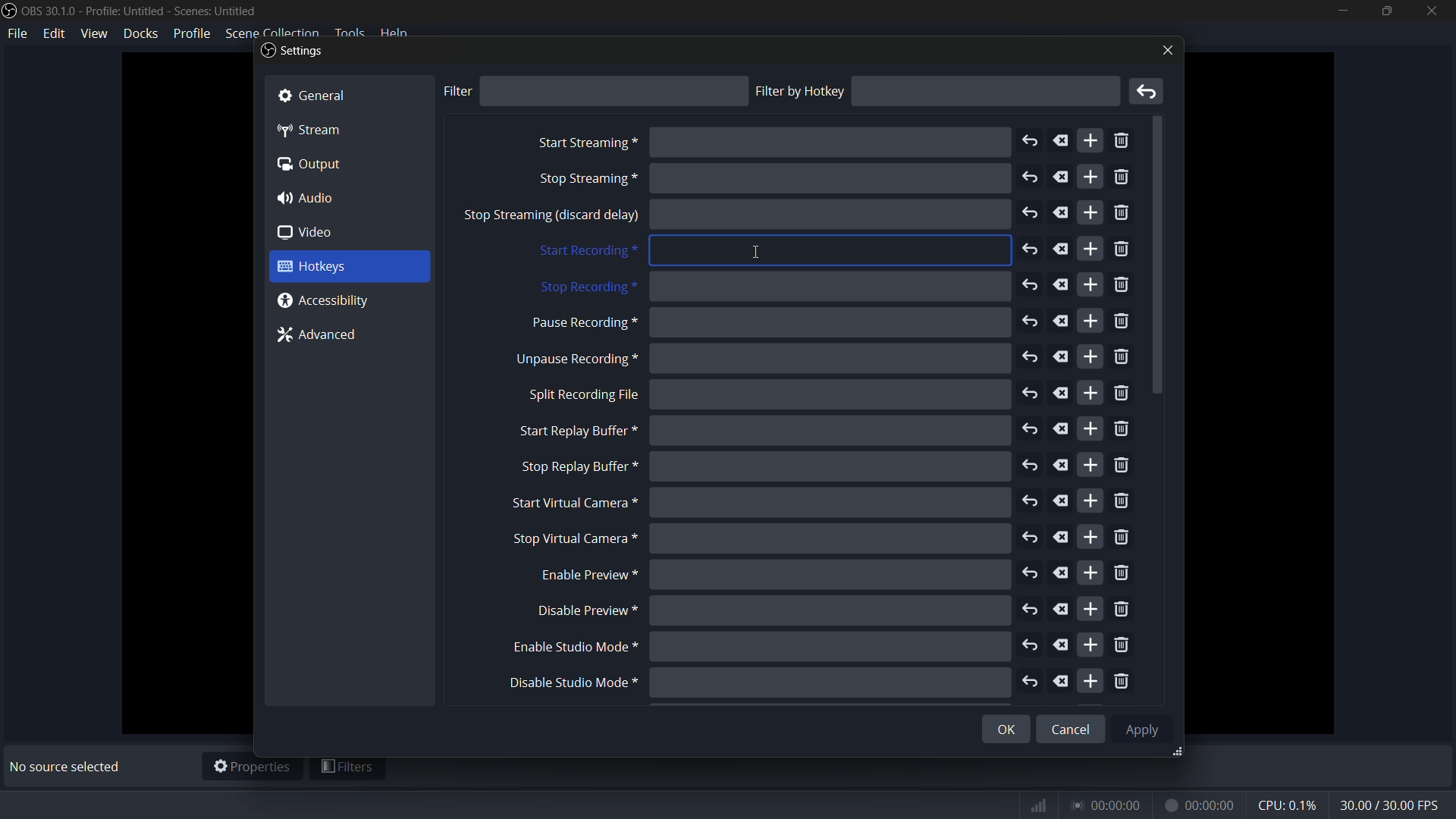  What do you see at coordinates (1125, 142) in the screenshot?
I see `remove` at bounding box center [1125, 142].